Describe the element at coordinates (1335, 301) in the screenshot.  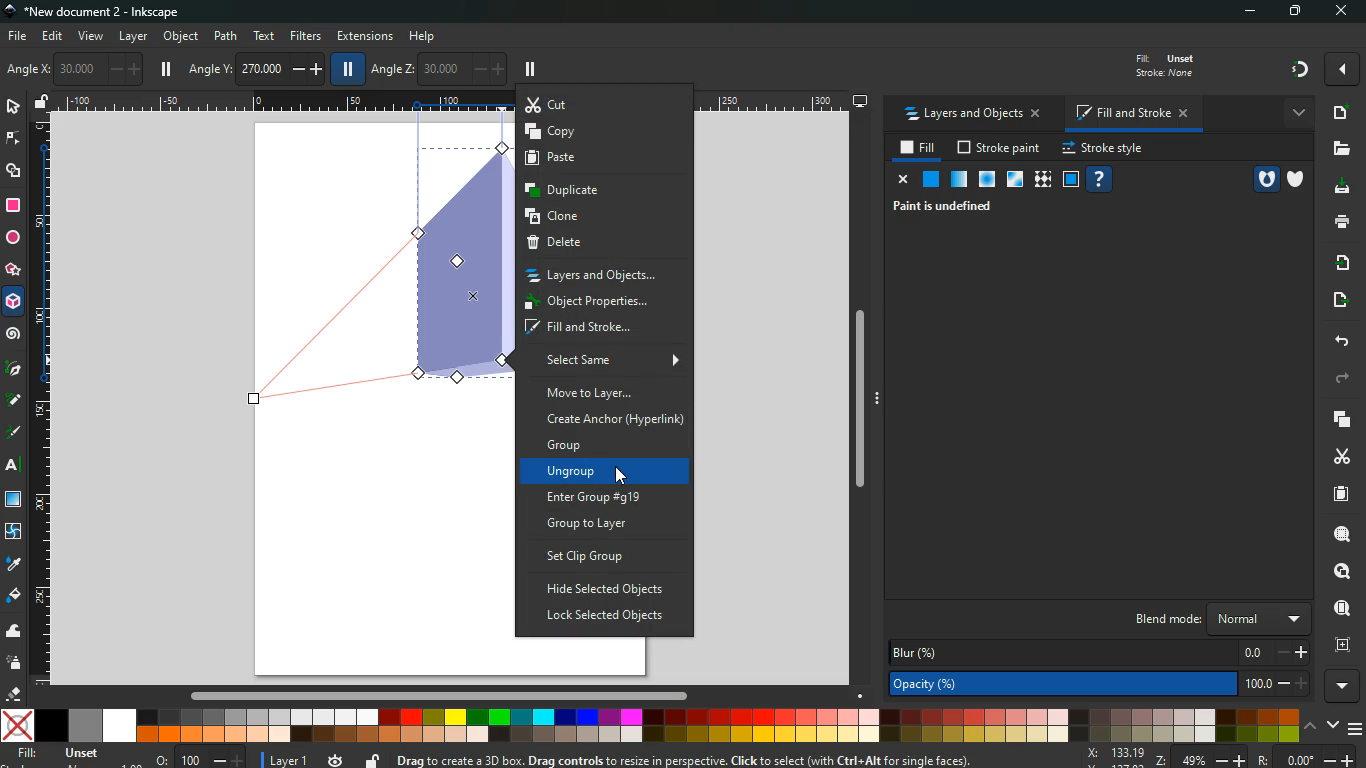
I see `send` at that location.